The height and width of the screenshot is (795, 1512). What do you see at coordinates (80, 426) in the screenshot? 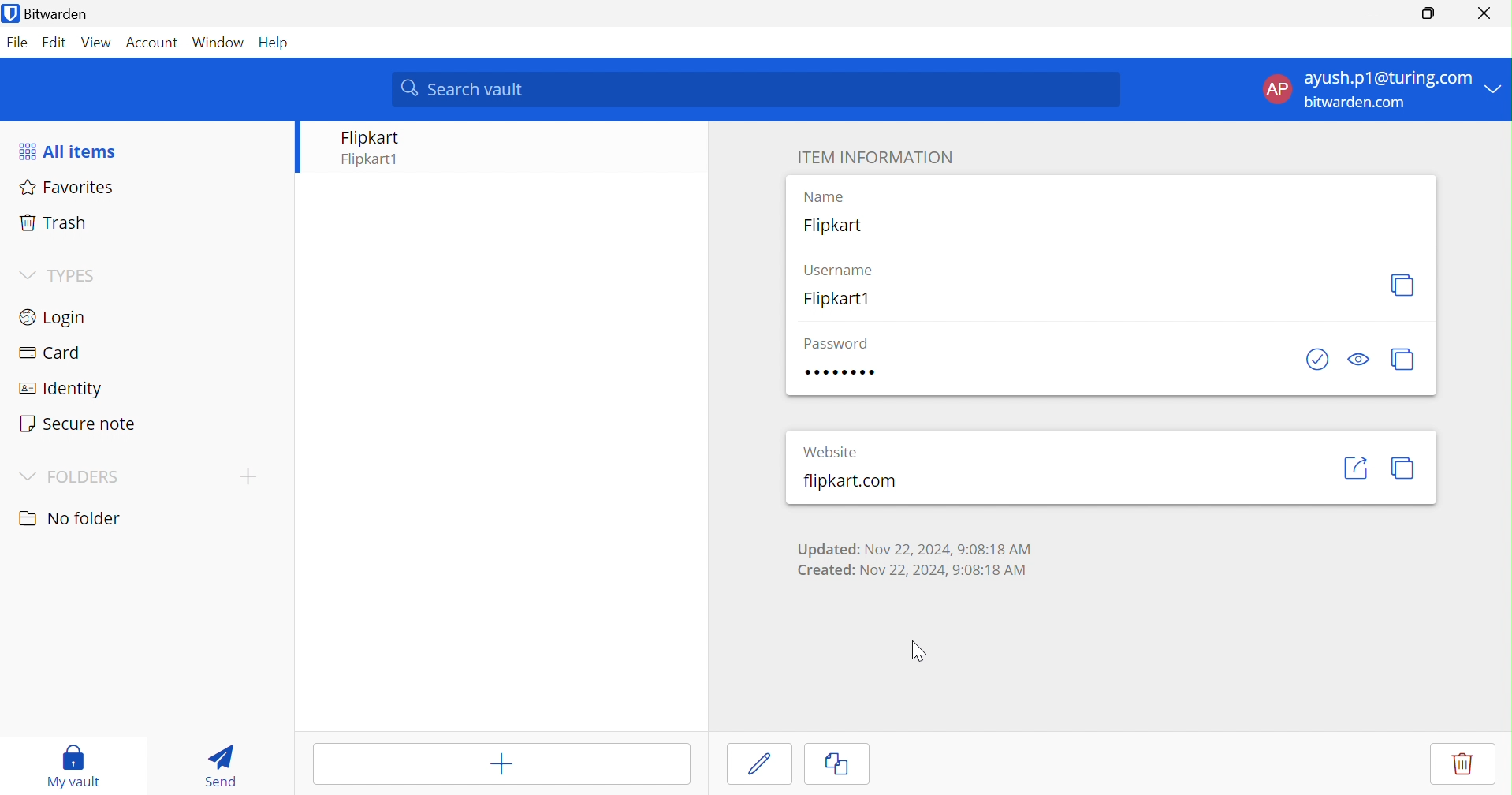
I see `Secure note` at bounding box center [80, 426].